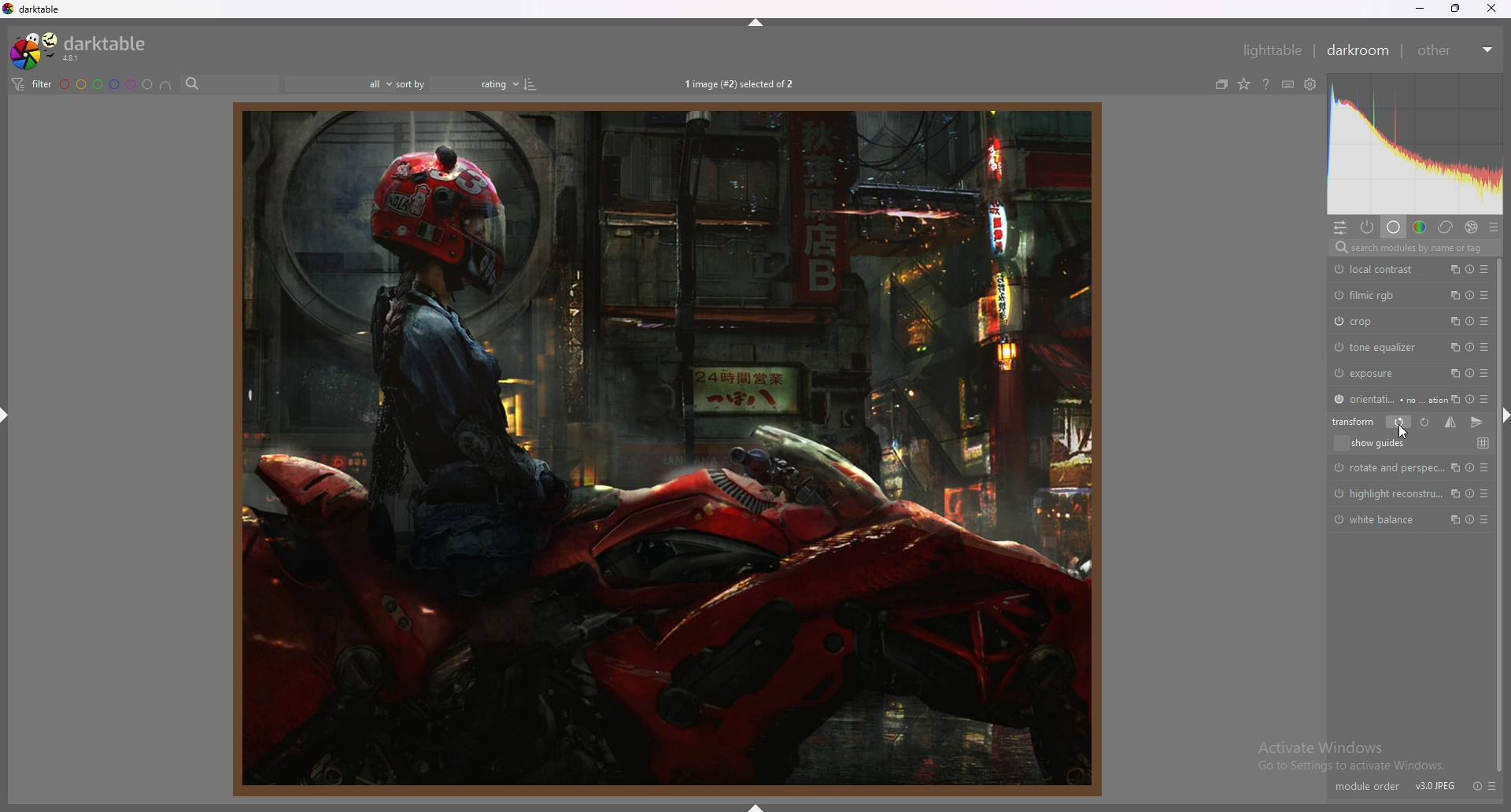 Image resolution: width=1511 pixels, height=812 pixels. I want to click on multiple instances action, so click(1454, 493).